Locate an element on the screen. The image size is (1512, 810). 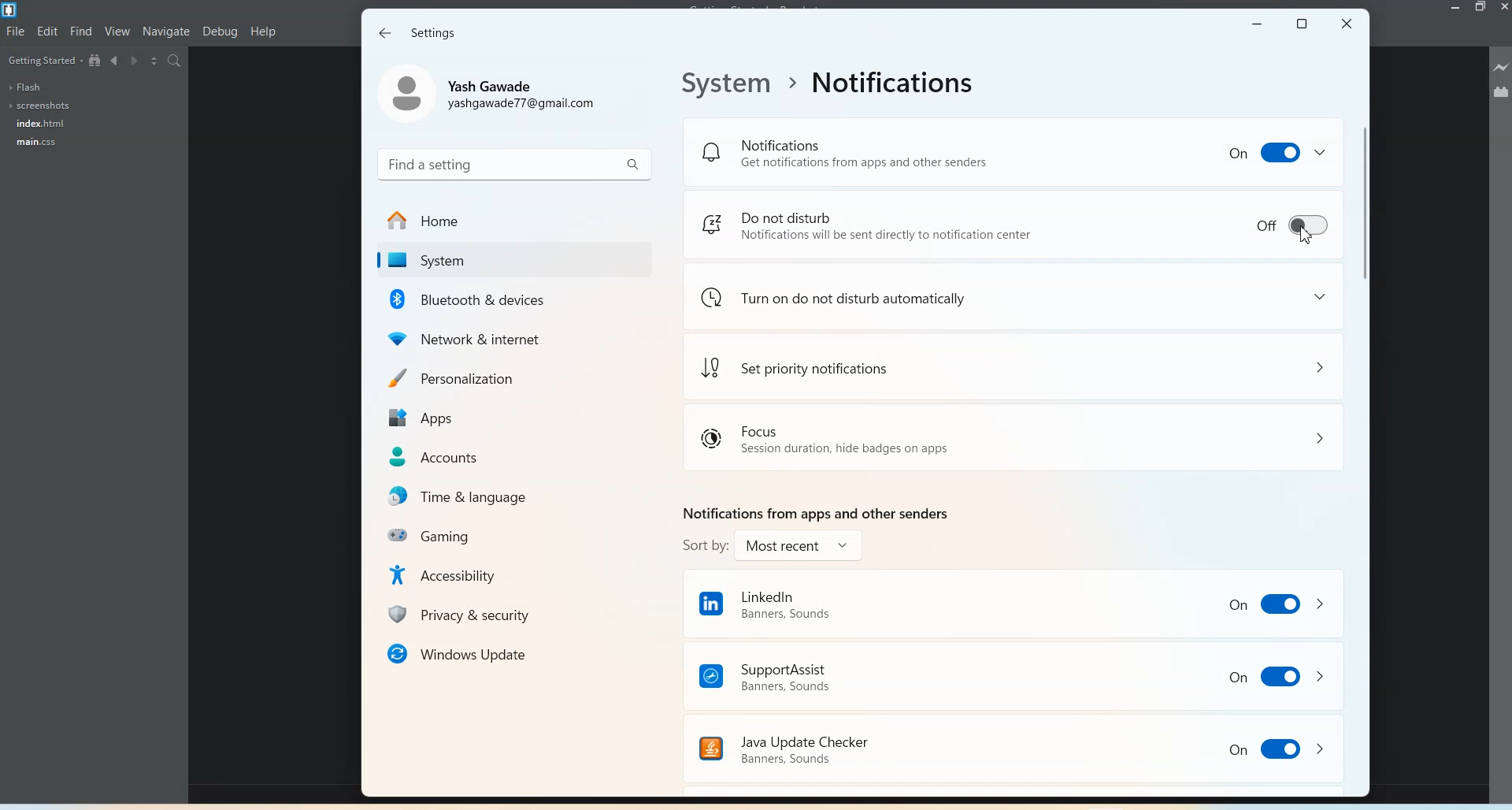
Maximize is located at coordinates (1303, 21).